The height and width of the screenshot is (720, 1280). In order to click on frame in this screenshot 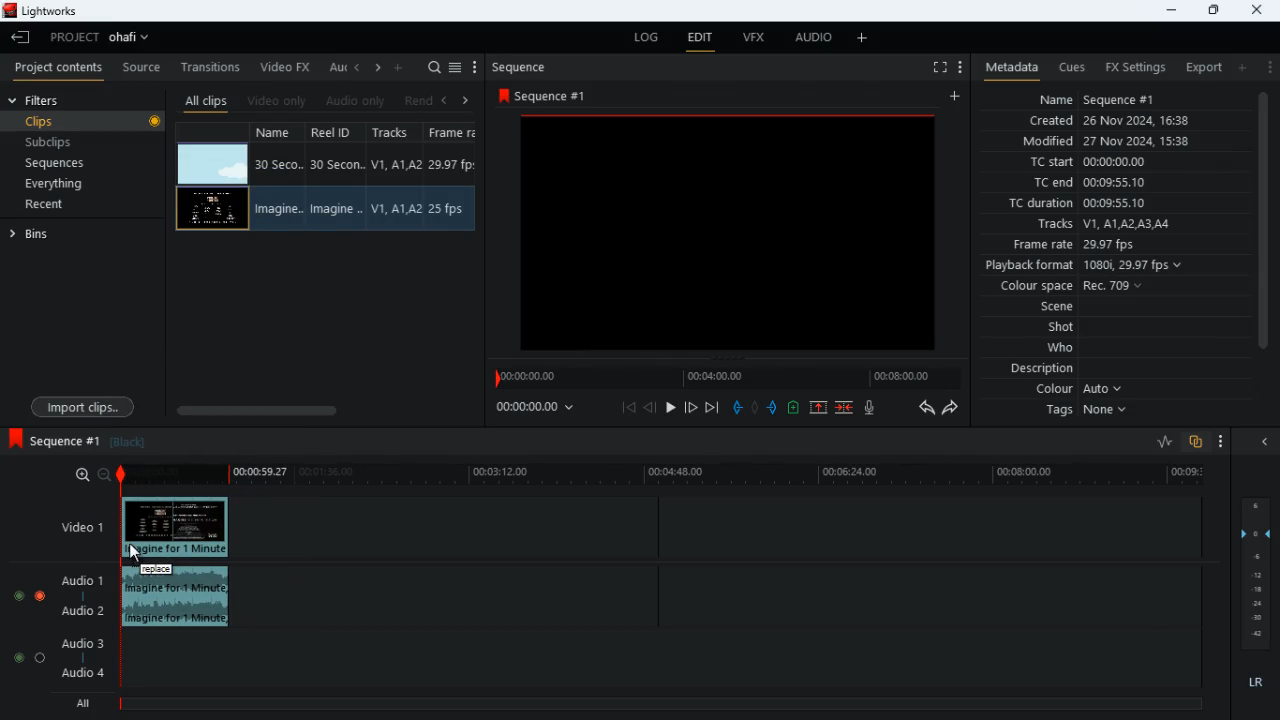, I will do `click(454, 179)`.